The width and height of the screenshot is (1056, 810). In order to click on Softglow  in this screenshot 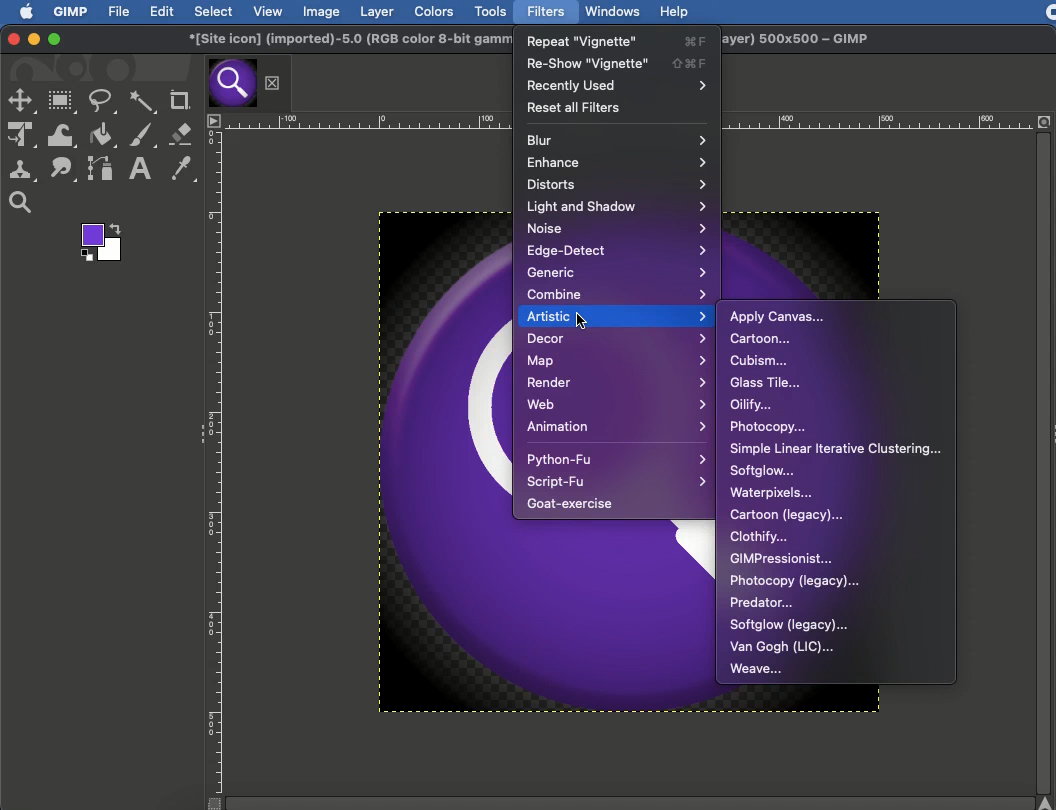, I will do `click(789, 625)`.